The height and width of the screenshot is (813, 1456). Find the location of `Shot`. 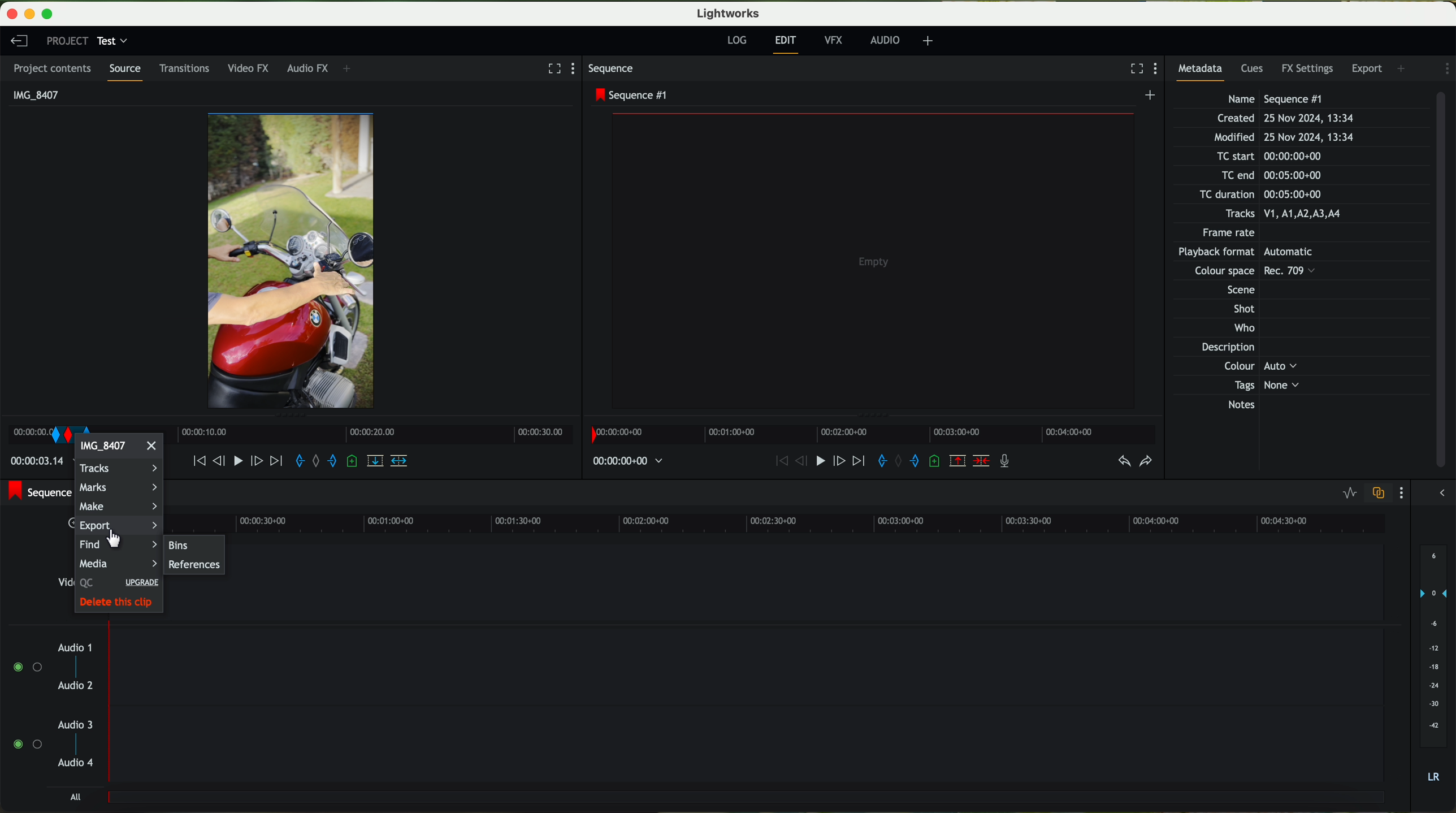

Shot is located at coordinates (1242, 309).